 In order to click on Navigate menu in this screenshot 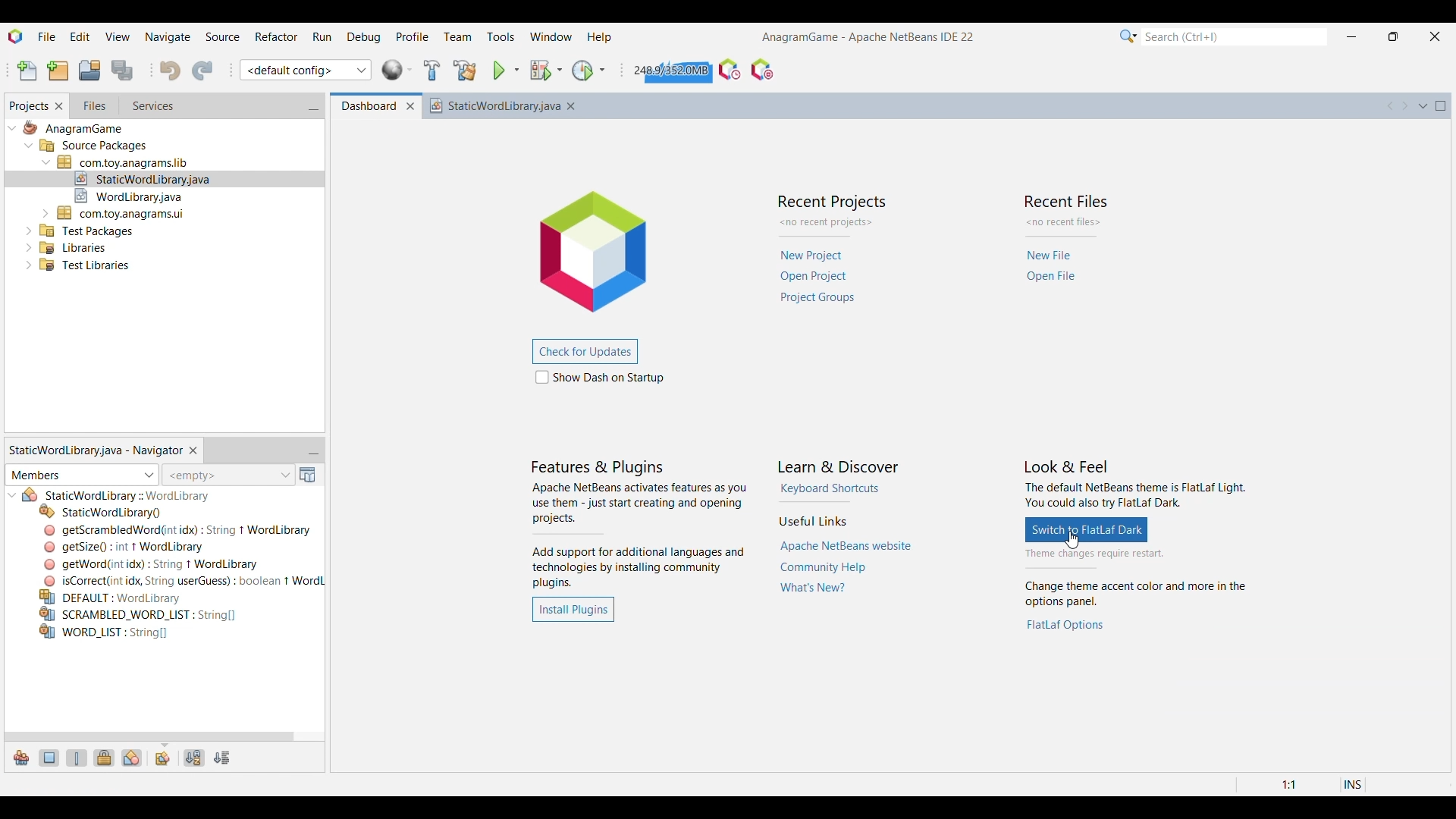, I will do `click(167, 36)`.